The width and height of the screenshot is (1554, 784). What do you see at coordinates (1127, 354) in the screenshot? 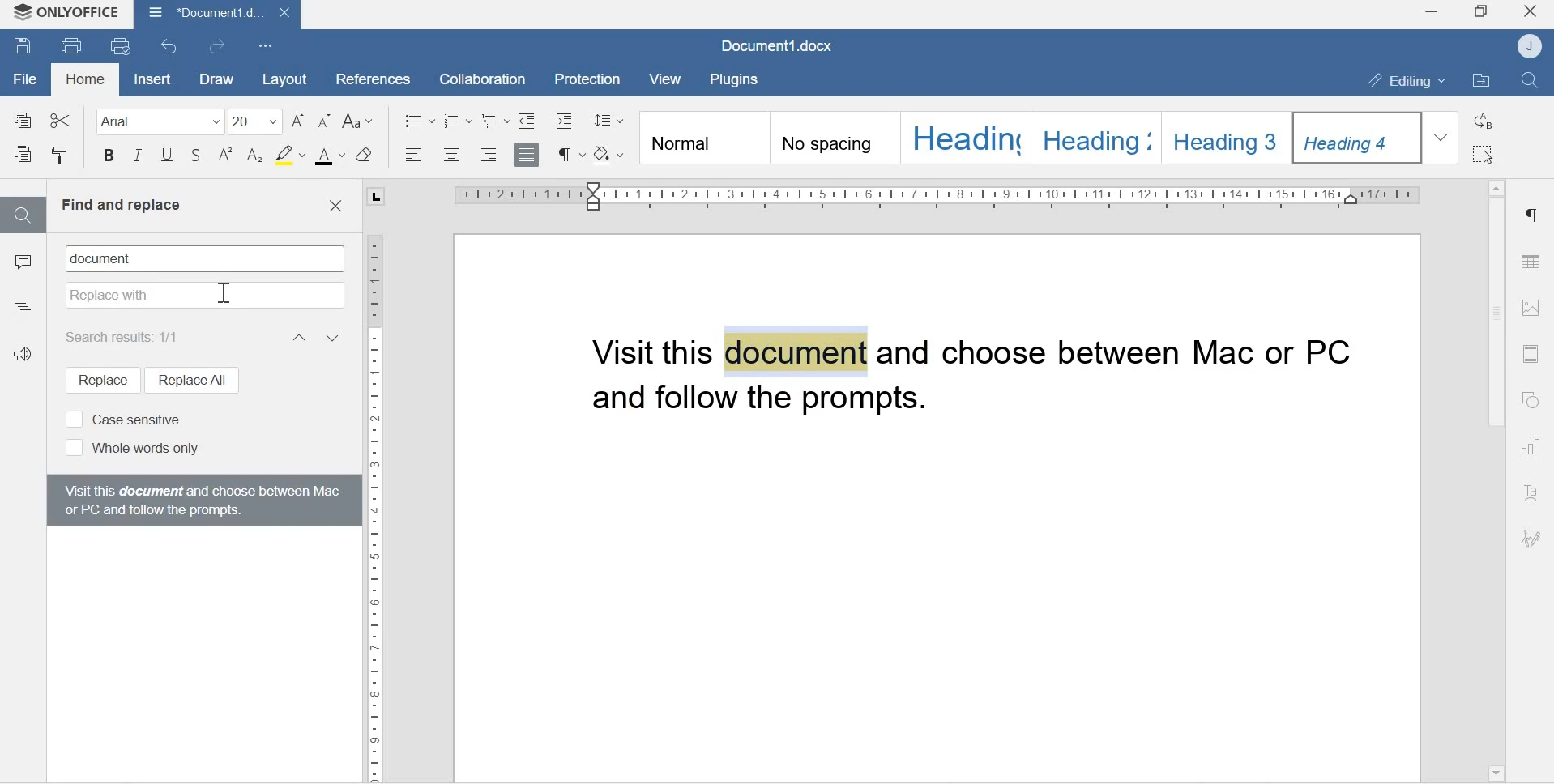
I see `and choose between MAC or PC` at bounding box center [1127, 354].